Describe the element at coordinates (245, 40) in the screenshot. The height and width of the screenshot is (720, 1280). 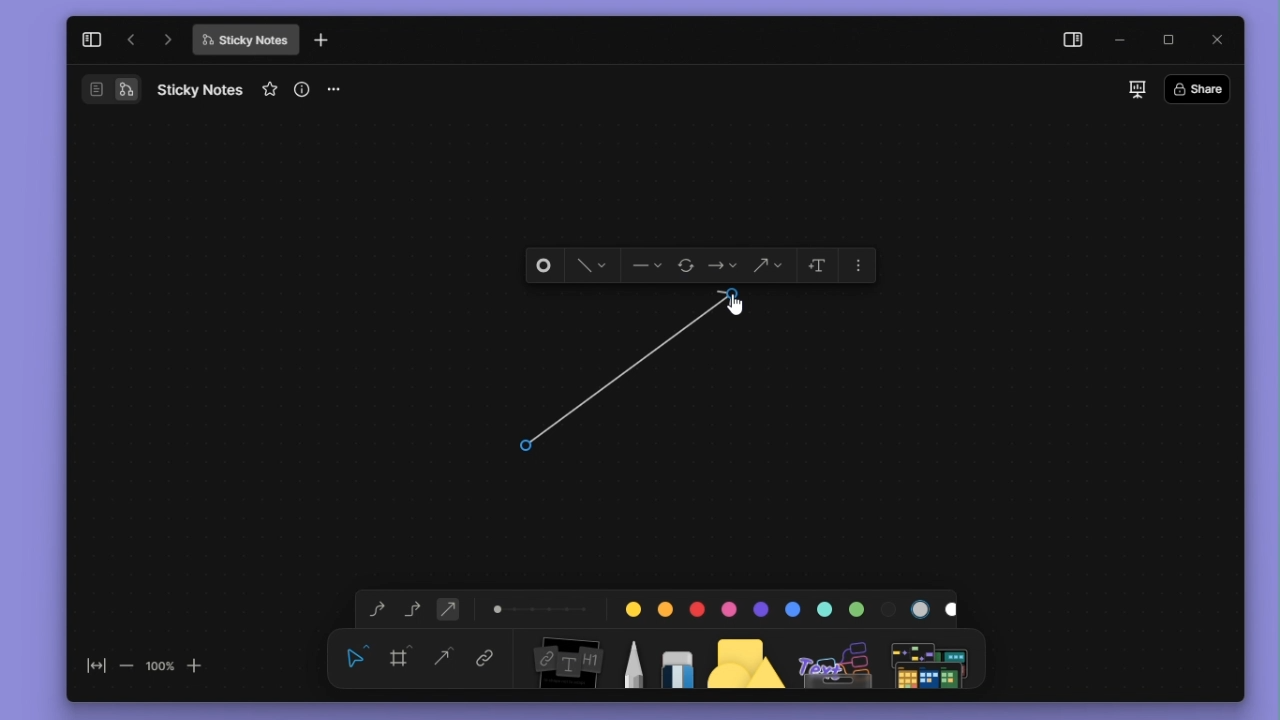
I see `file name` at that location.